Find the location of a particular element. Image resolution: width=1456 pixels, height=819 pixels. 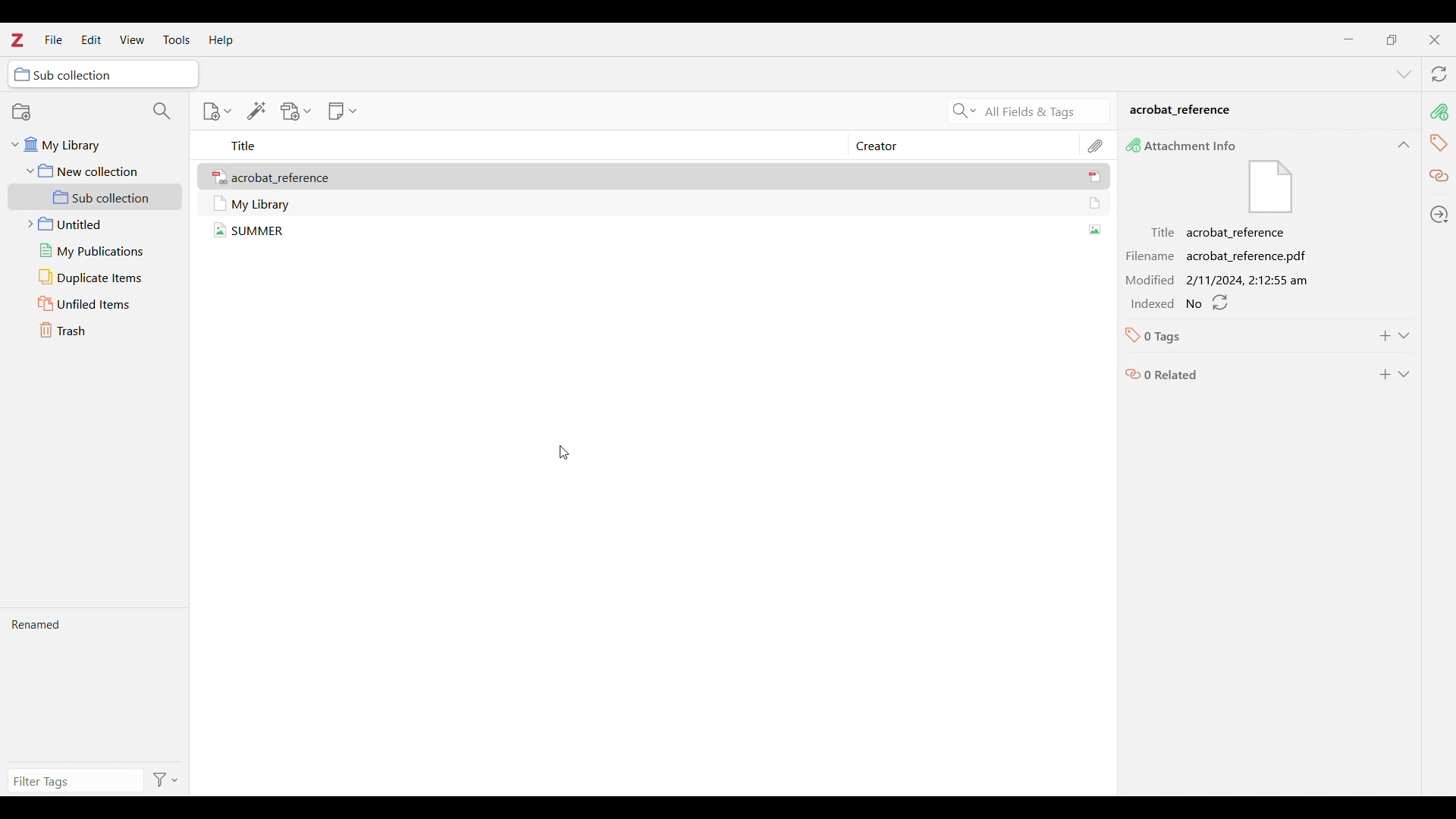

Software logo is located at coordinates (17, 39).